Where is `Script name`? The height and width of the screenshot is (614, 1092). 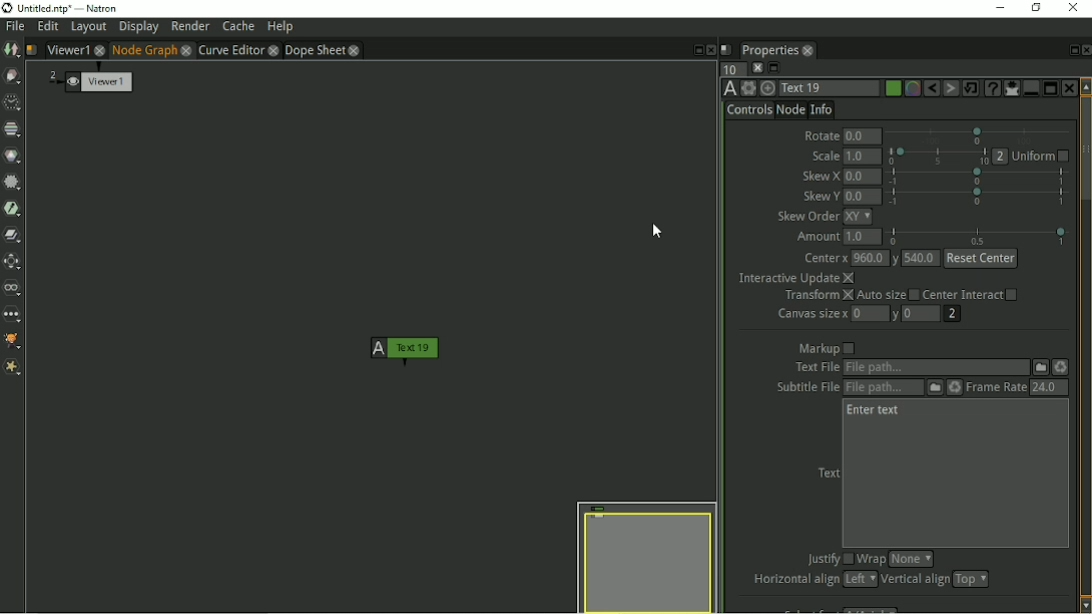 Script name is located at coordinates (726, 50).